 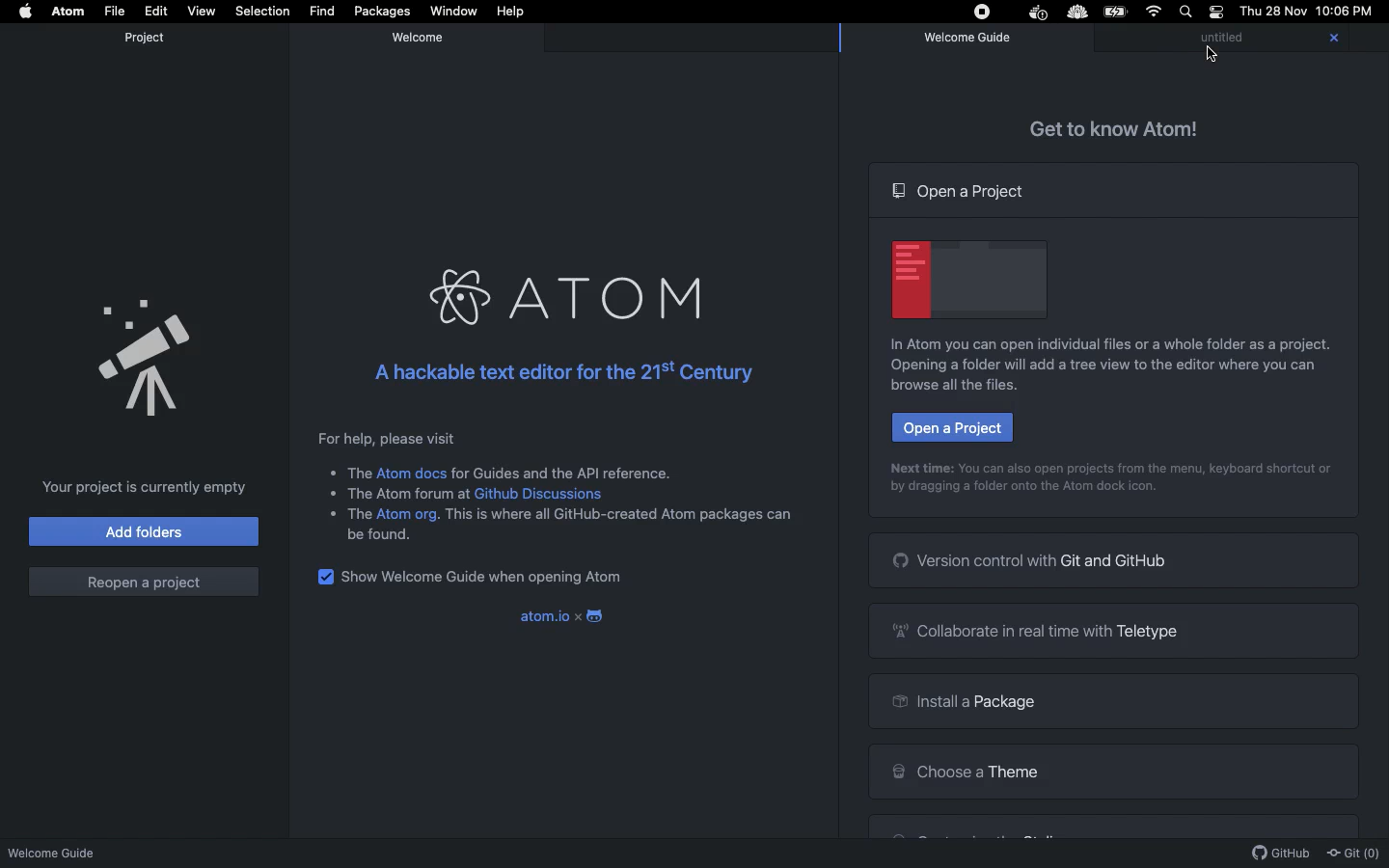 I want to click on Instructional text, so click(x=1030, y=487).